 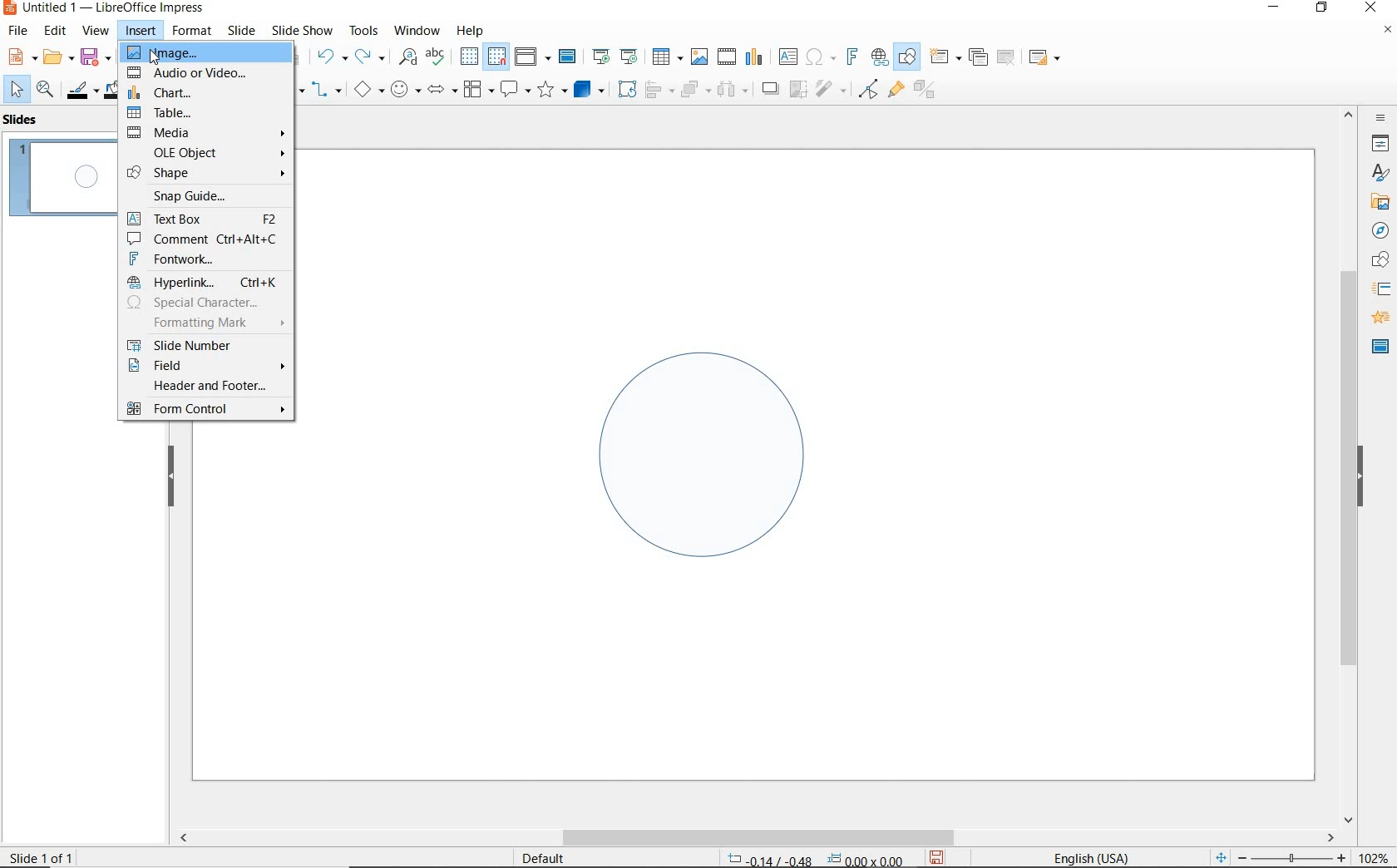 I want to click on open, so click(x=56, y=57).